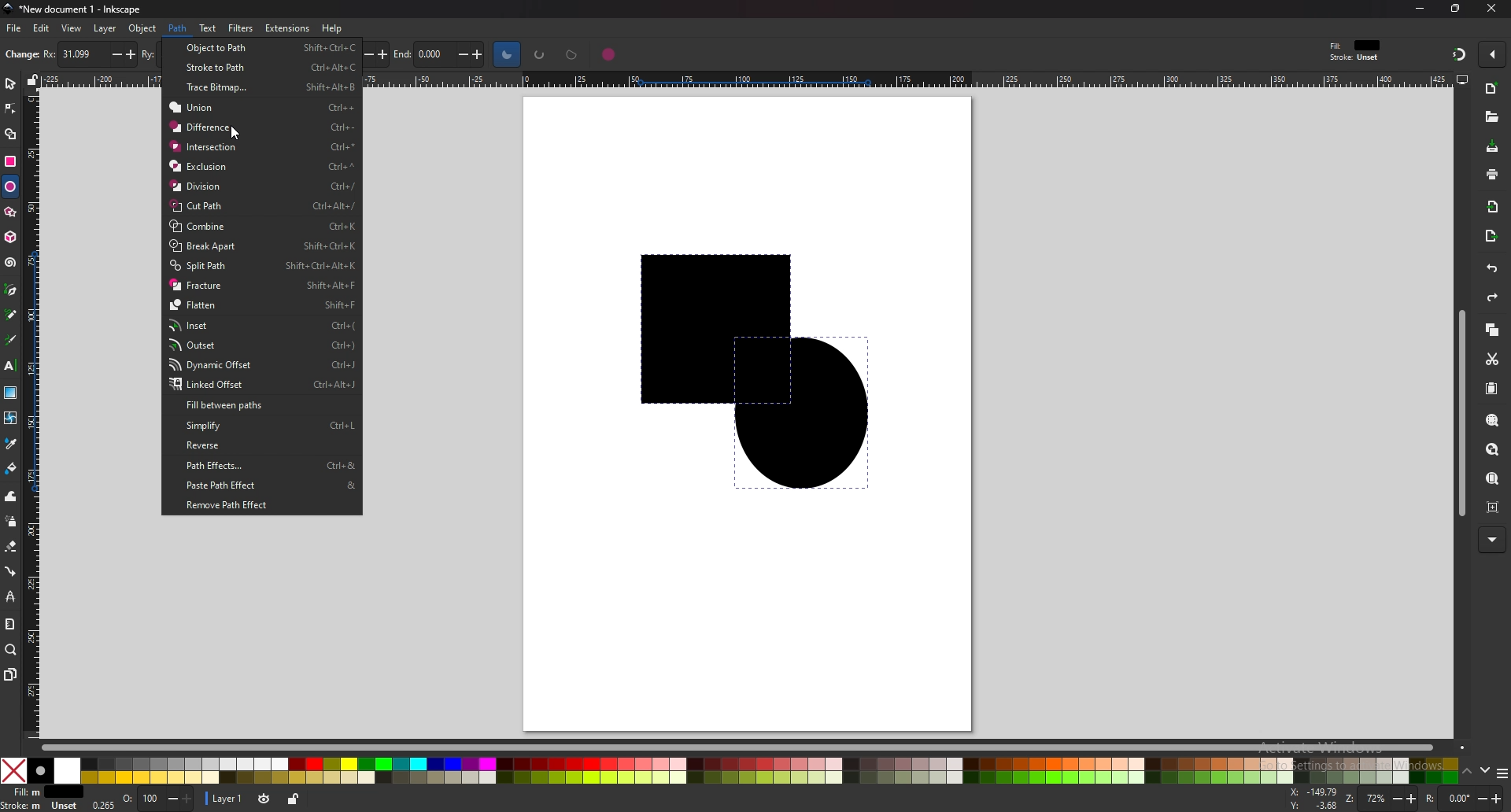 The height and width of the screenshot is (812, 1511). I want to click on spray, so click(10, 522).